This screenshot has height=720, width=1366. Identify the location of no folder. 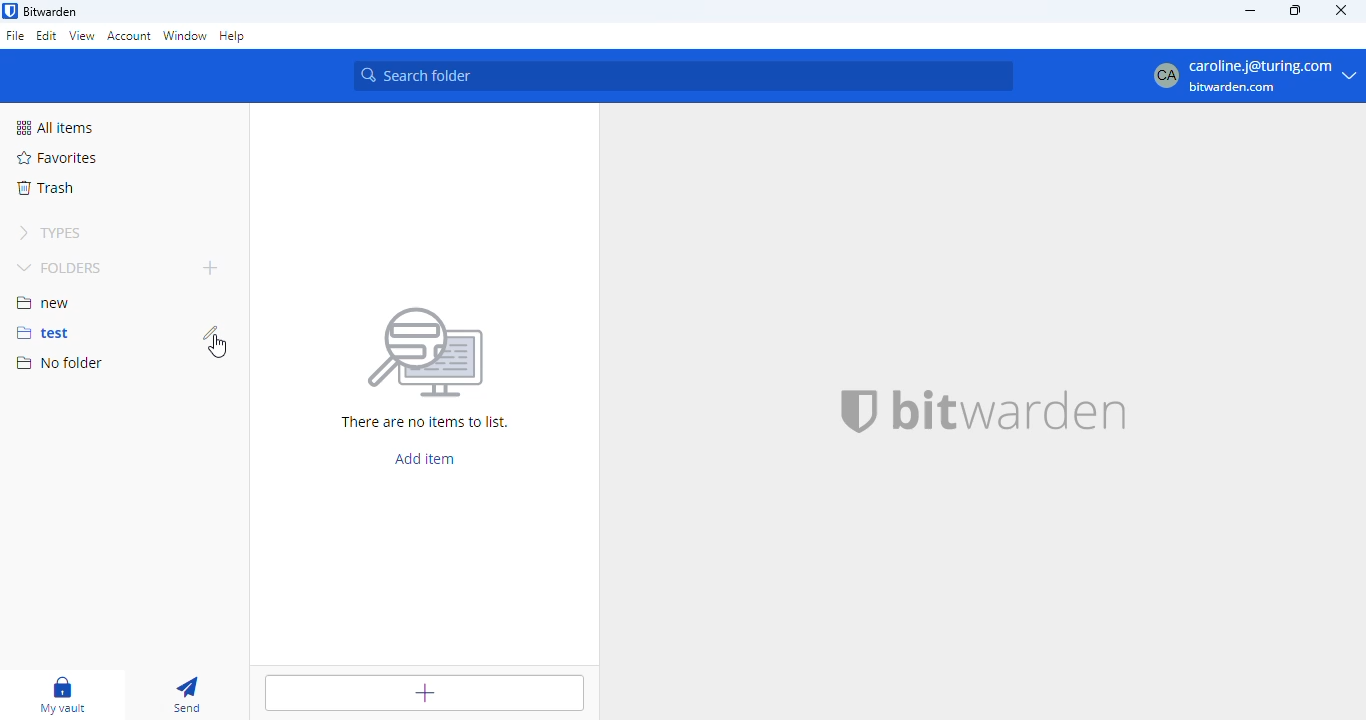
(60, 364).